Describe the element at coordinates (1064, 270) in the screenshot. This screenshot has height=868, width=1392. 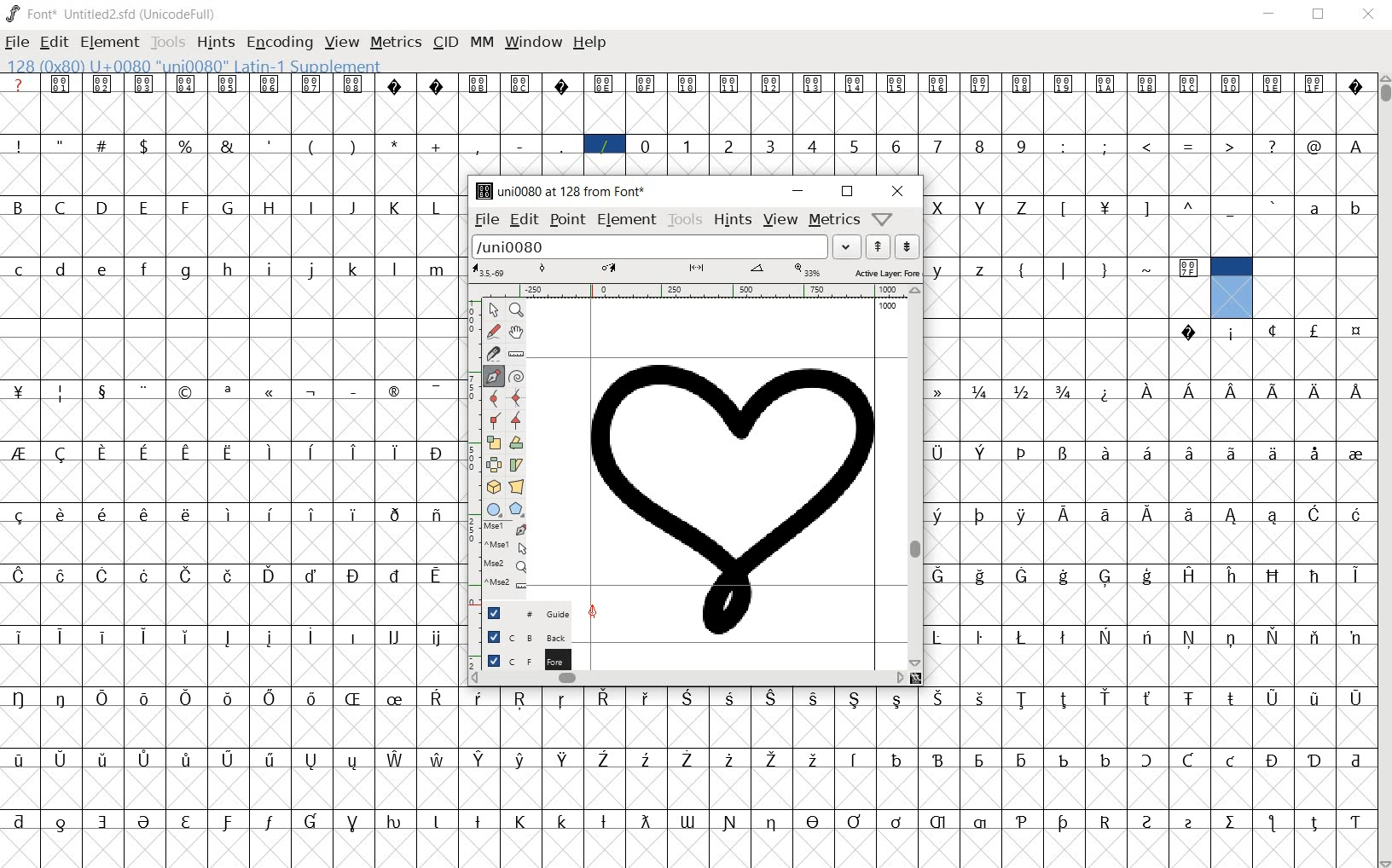
I see `glyph` at that location.